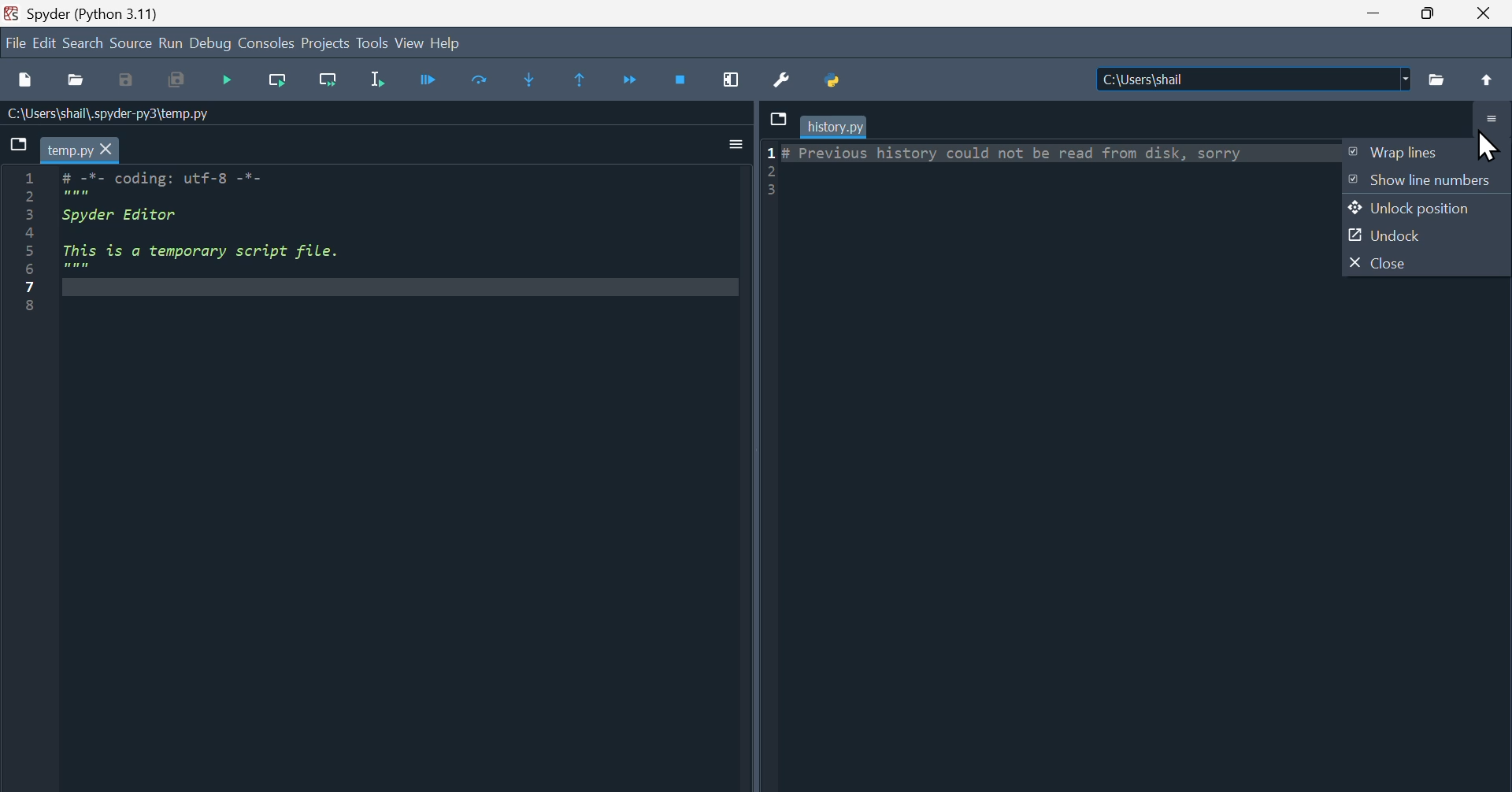 The height and width of the screenshot is (792, 1512). I want to click on Python path manager, so click(835, 82).